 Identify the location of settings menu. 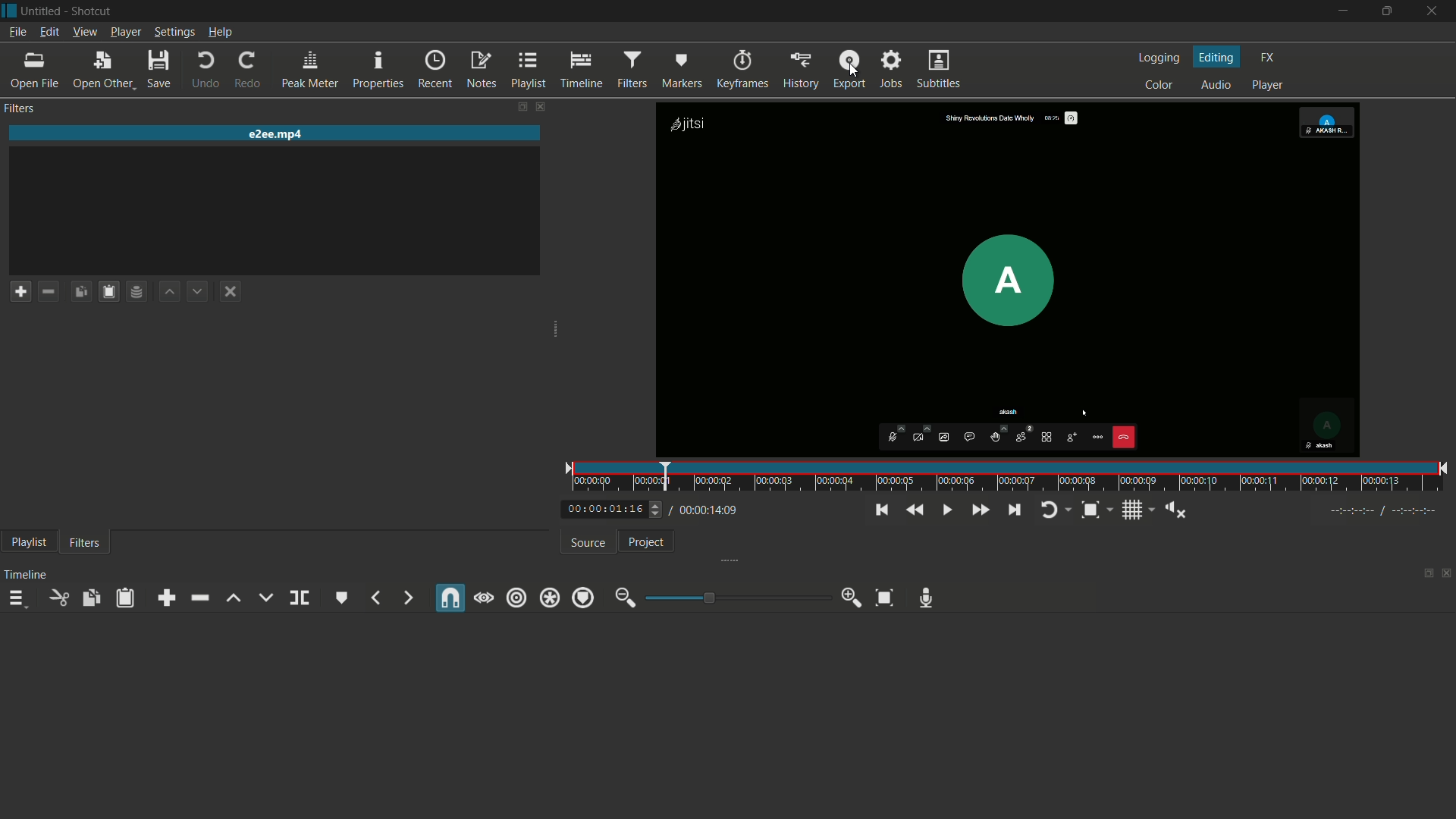
(174, 33).